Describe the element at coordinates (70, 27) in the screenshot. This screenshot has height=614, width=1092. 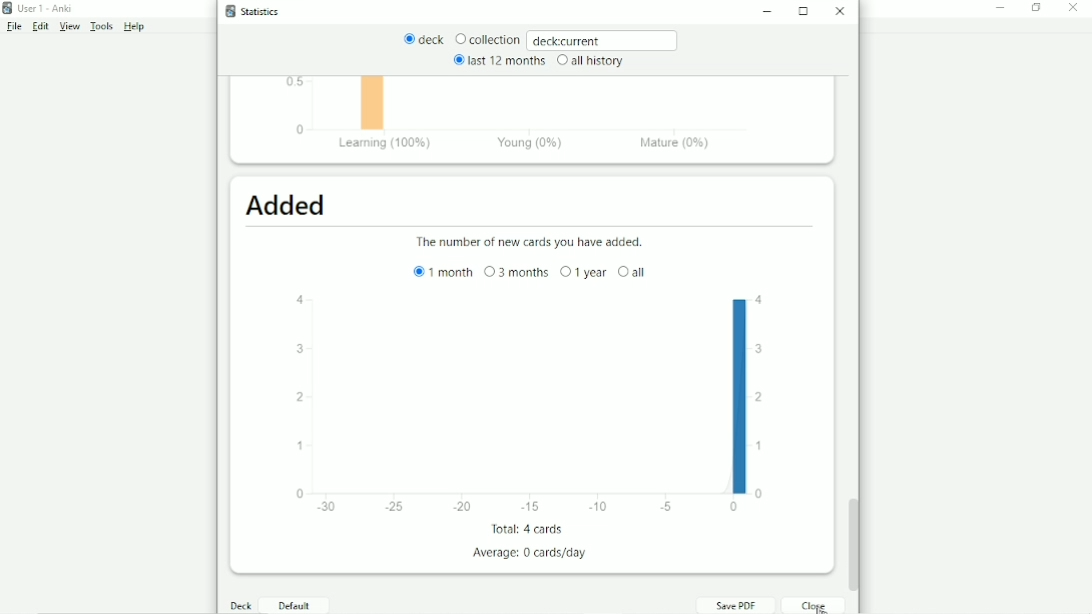
I see `View` at that location.